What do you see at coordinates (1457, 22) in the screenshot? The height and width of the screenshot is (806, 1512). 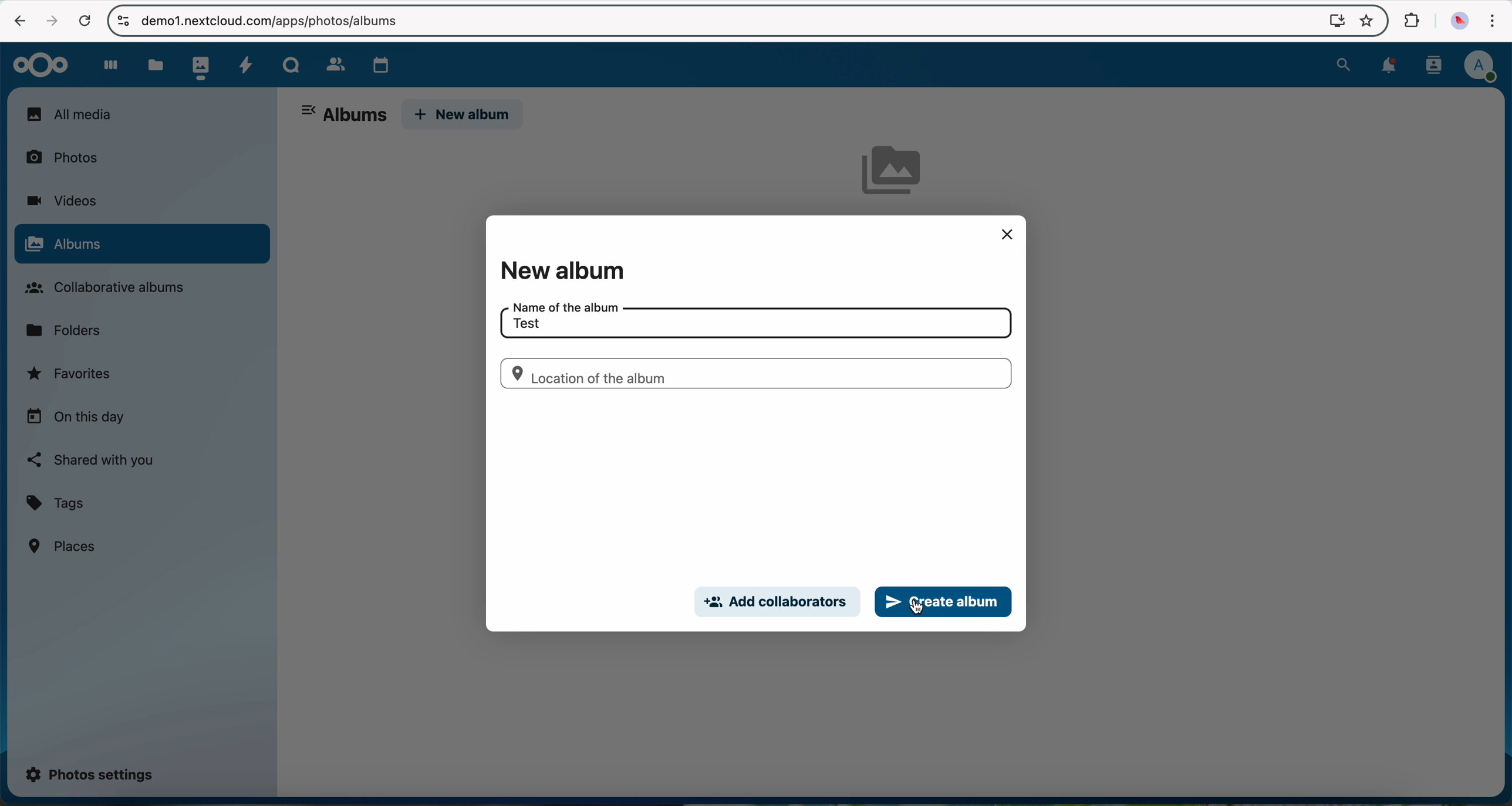 I see `profile picture` at bounding box center [1457, 22].